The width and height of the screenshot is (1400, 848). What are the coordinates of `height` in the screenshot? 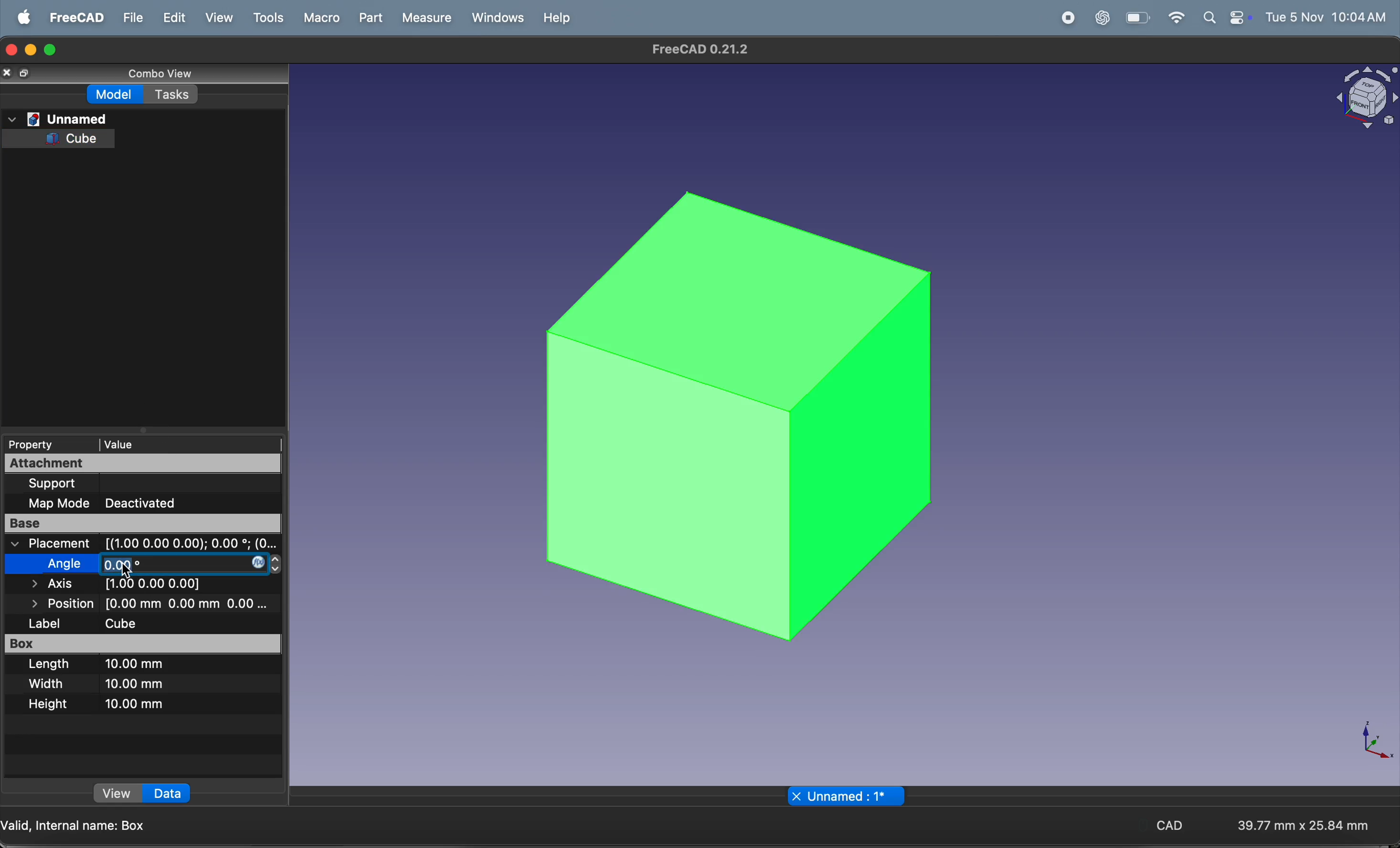 It's located at (46, 709).